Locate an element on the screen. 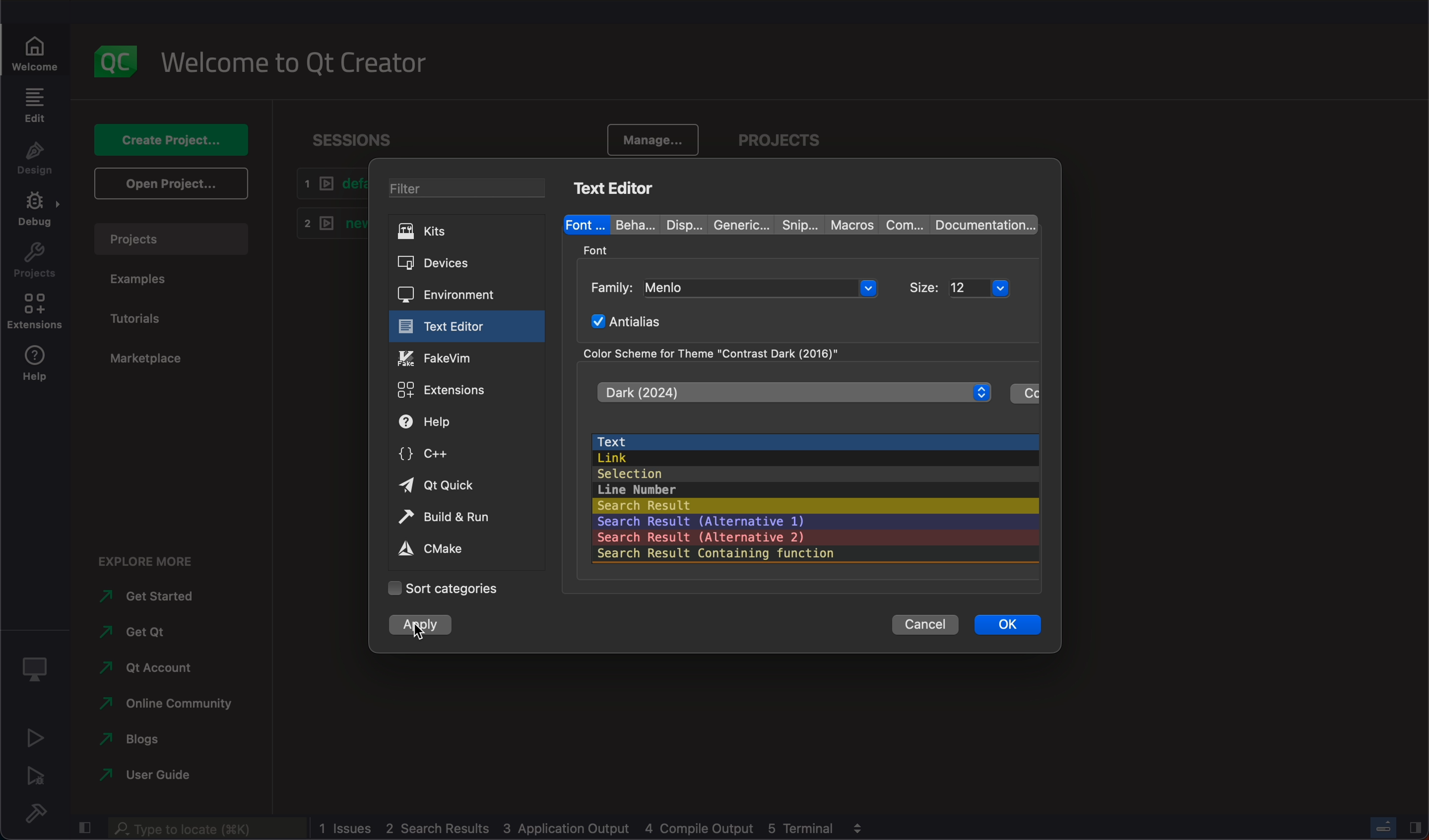  design is located at coordinates (33, 161).